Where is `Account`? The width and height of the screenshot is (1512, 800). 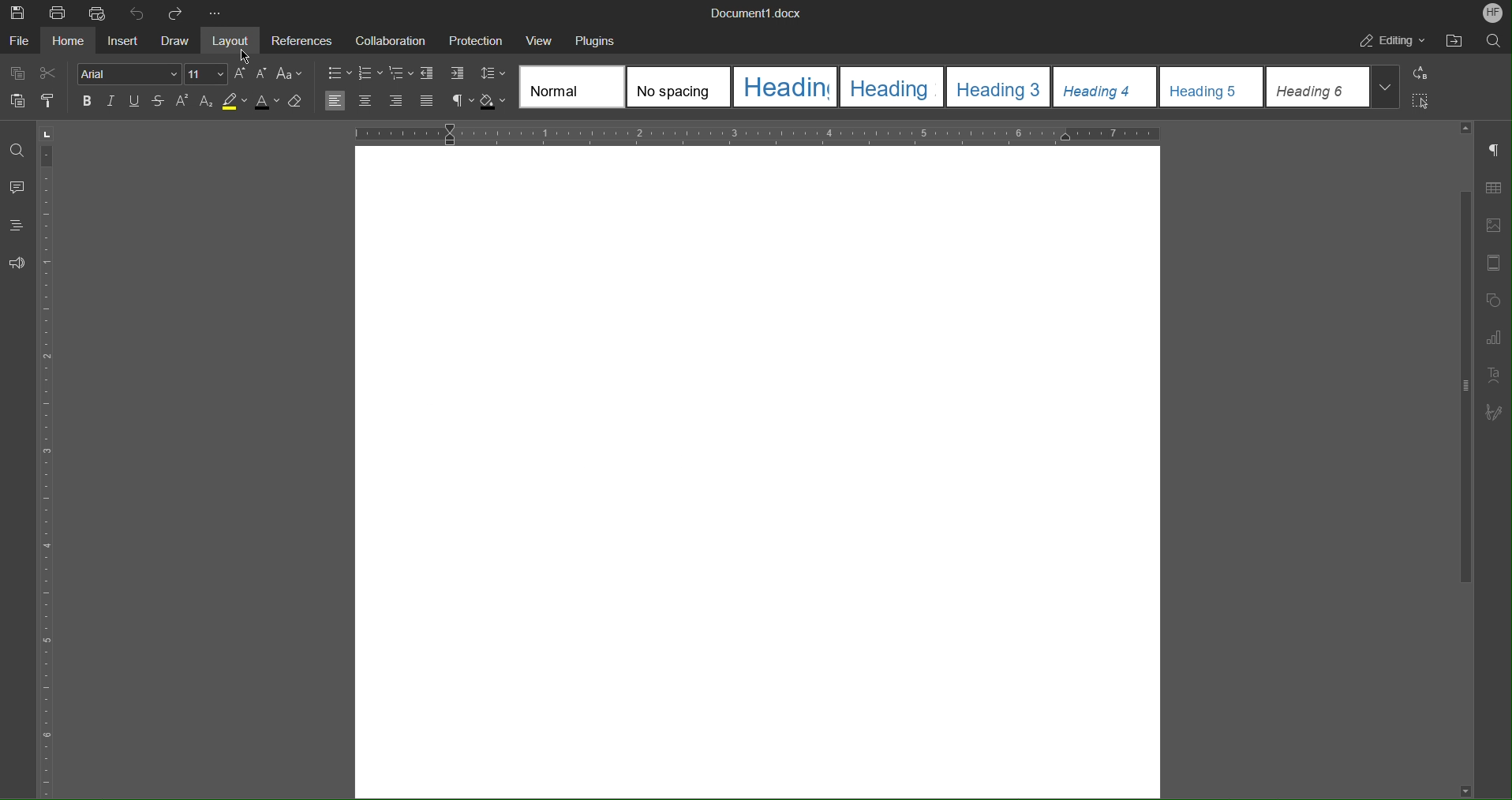
Account is located at coordinates (1493, 13).